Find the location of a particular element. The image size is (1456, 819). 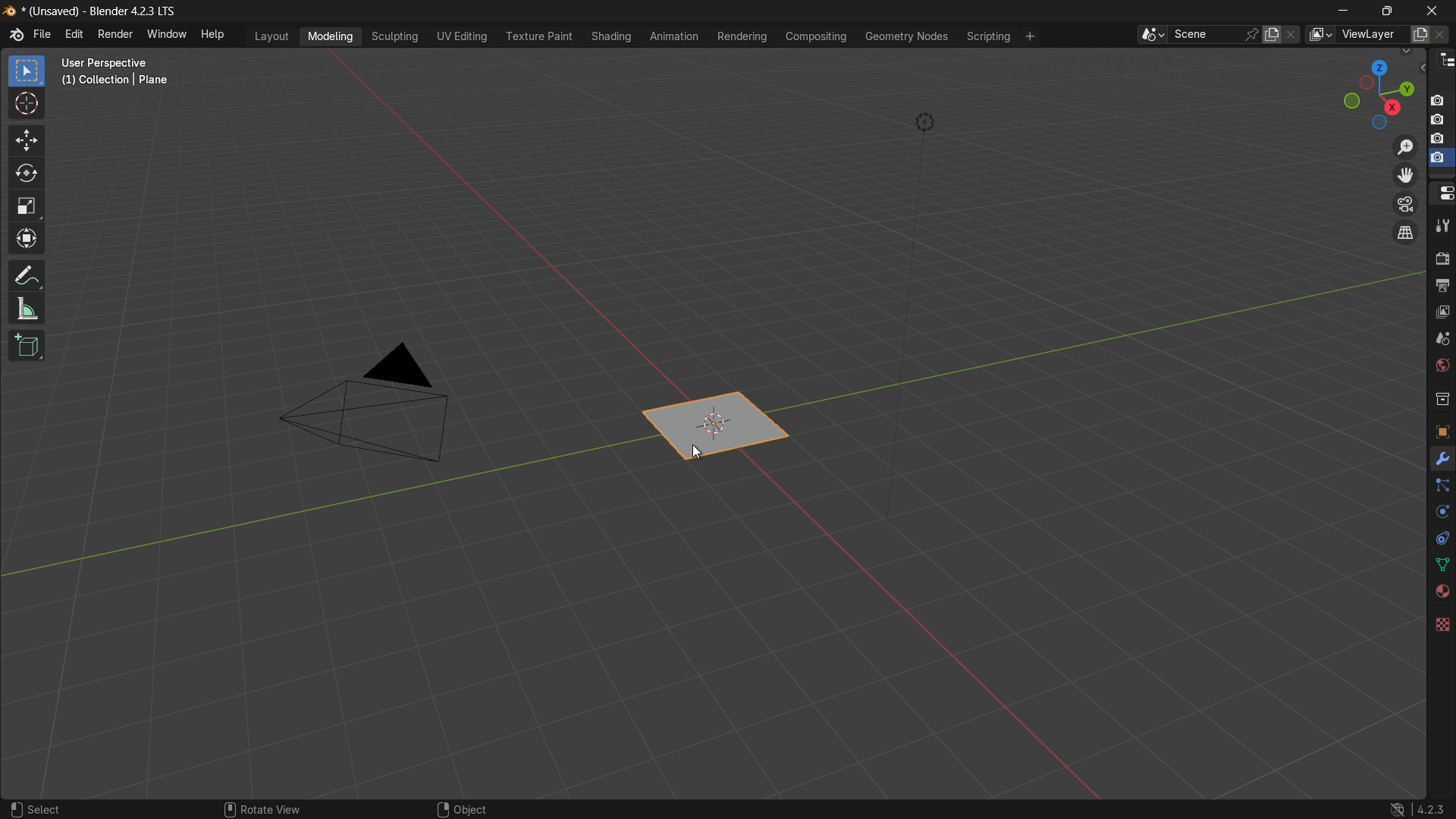

file menu is located at coordinates (42, 35).